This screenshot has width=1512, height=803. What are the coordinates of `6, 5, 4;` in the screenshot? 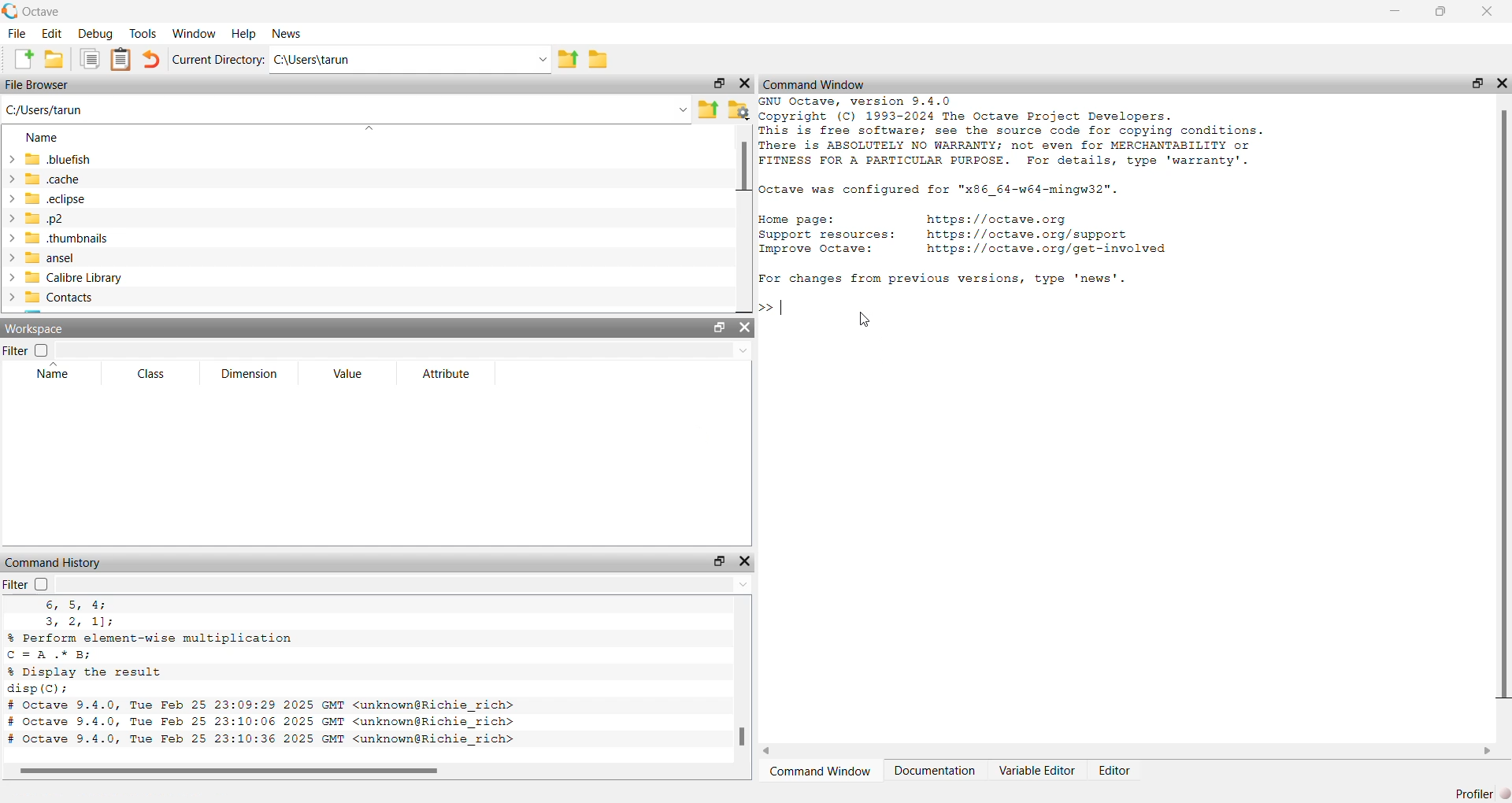 It's located at (79, 605).